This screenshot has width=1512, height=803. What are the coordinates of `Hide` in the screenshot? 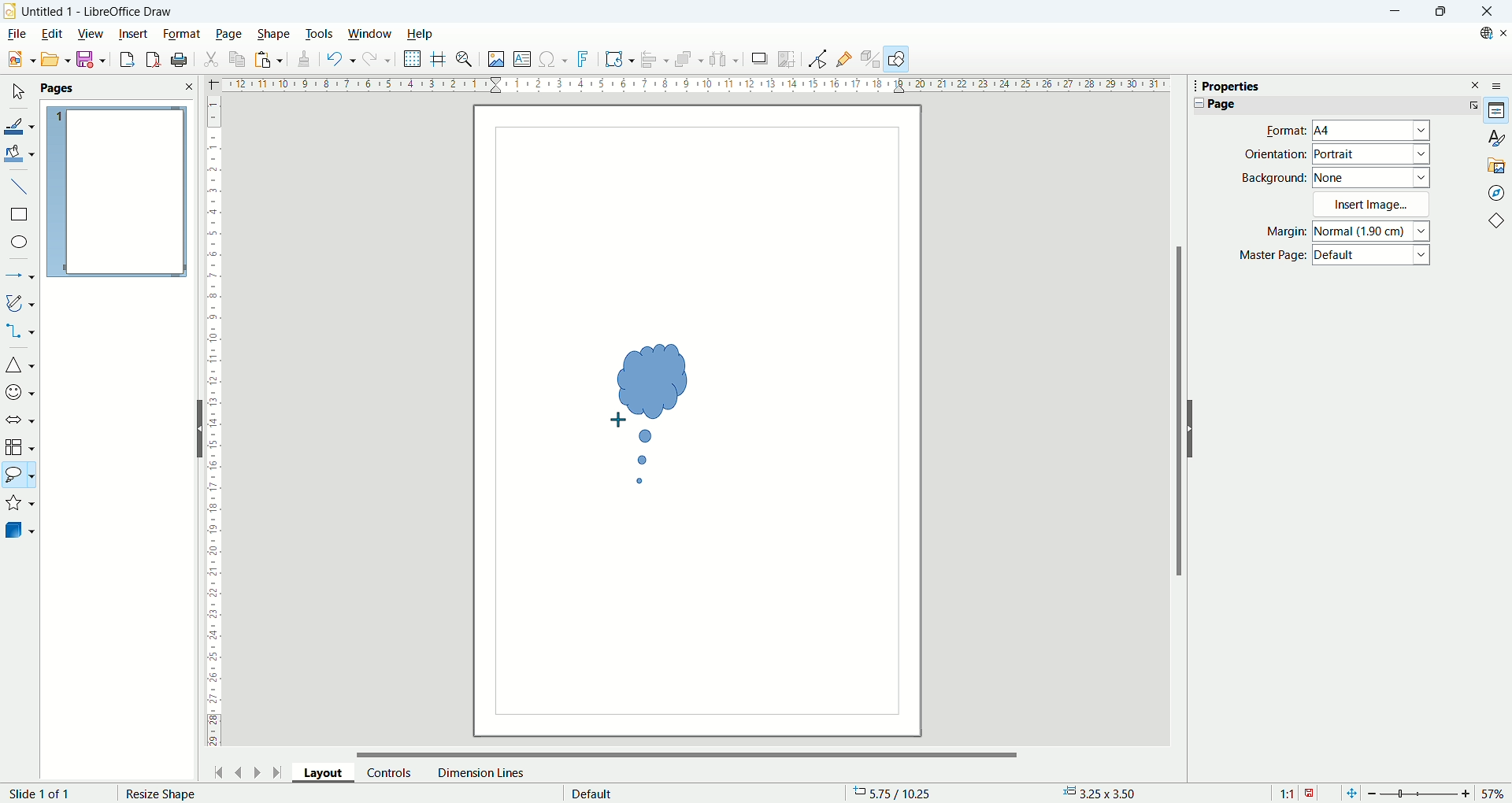 It's located at (1194, 428).